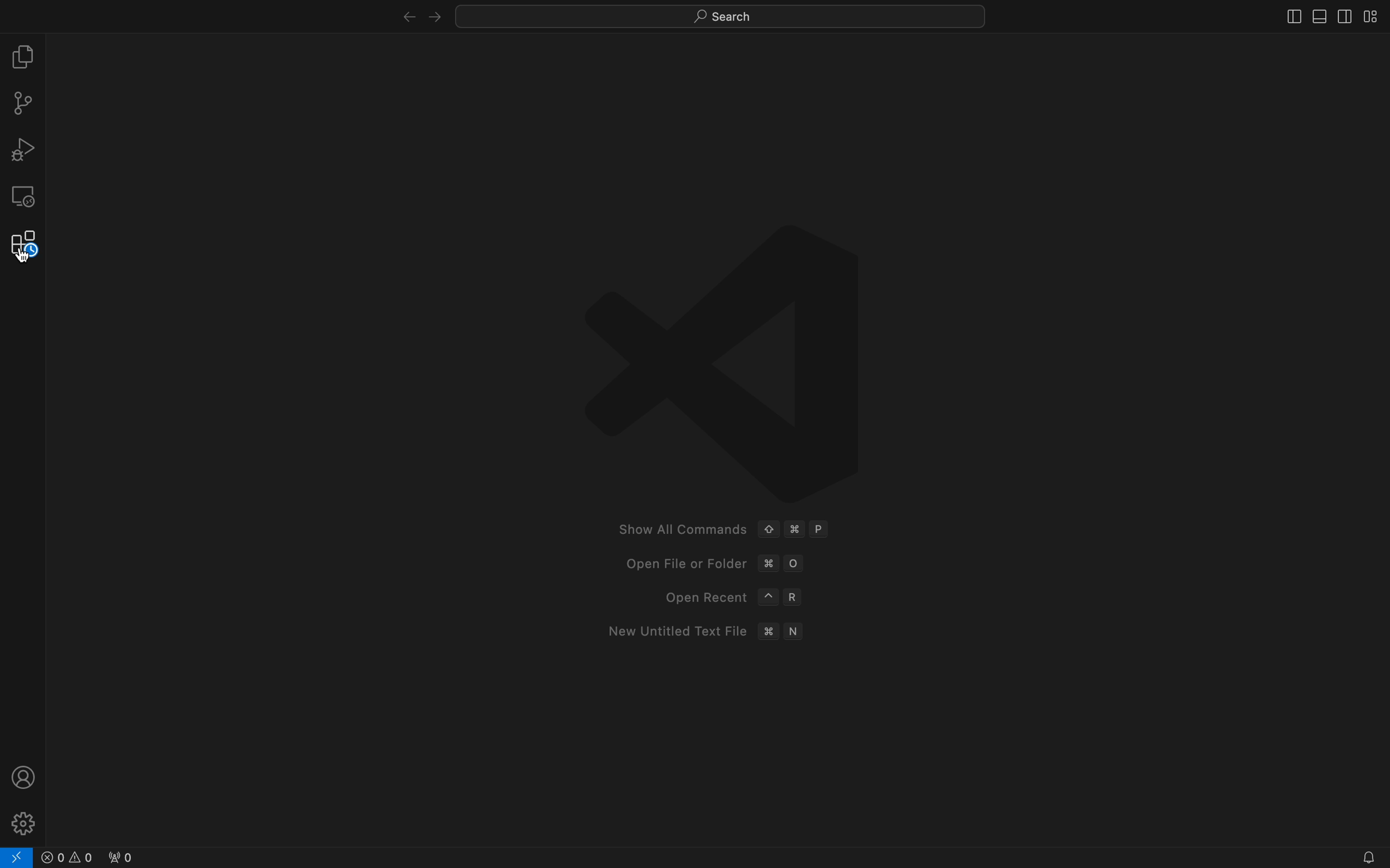 The height and width of the screenshot is (868, 1390). Describe the element at coordinates (25, 821) in the screenshot. I see `settings` at that location.